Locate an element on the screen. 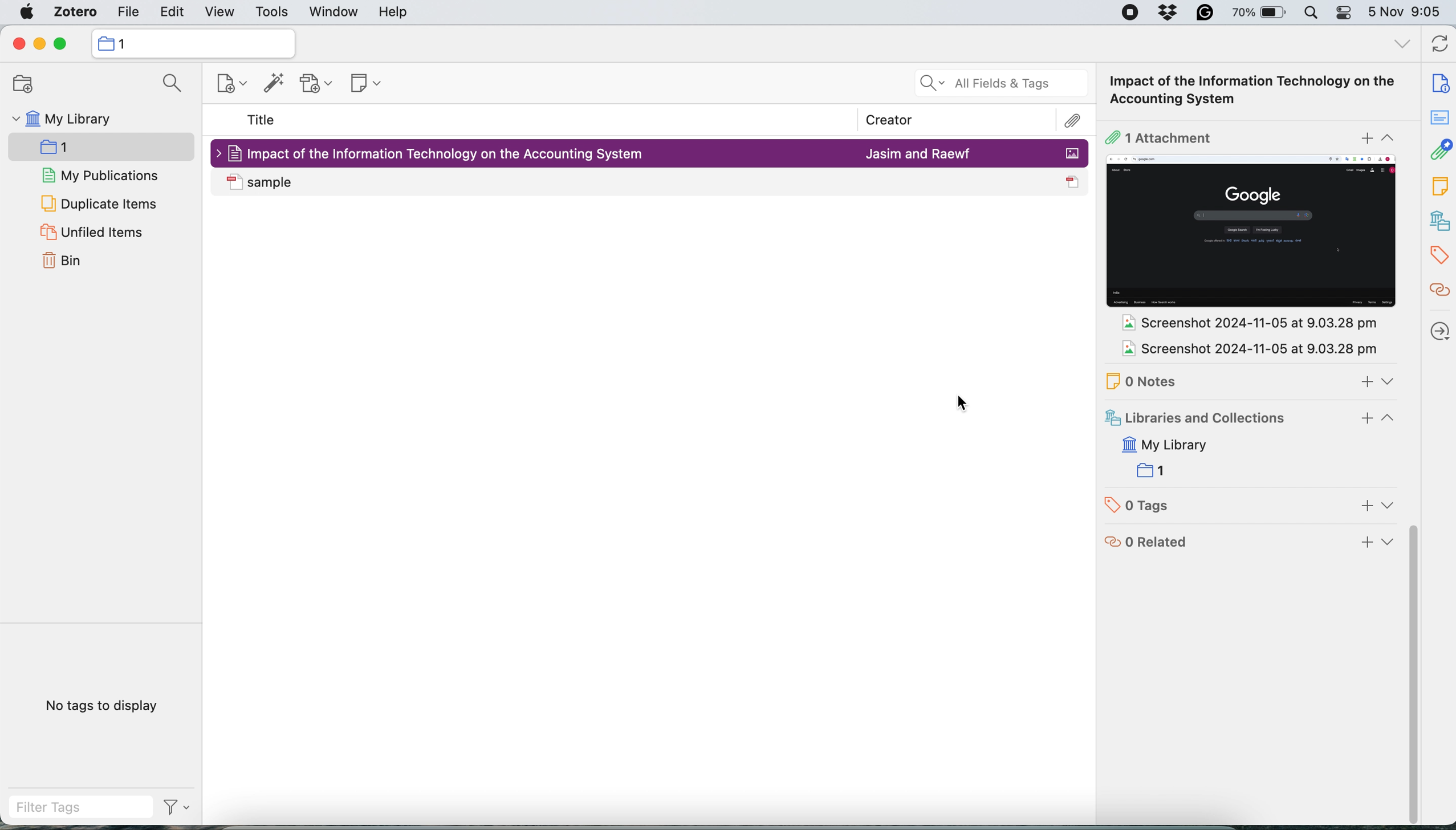 This screenshot has height=830, width=1456. All feild & Tags is located at coordinates (994, 77).